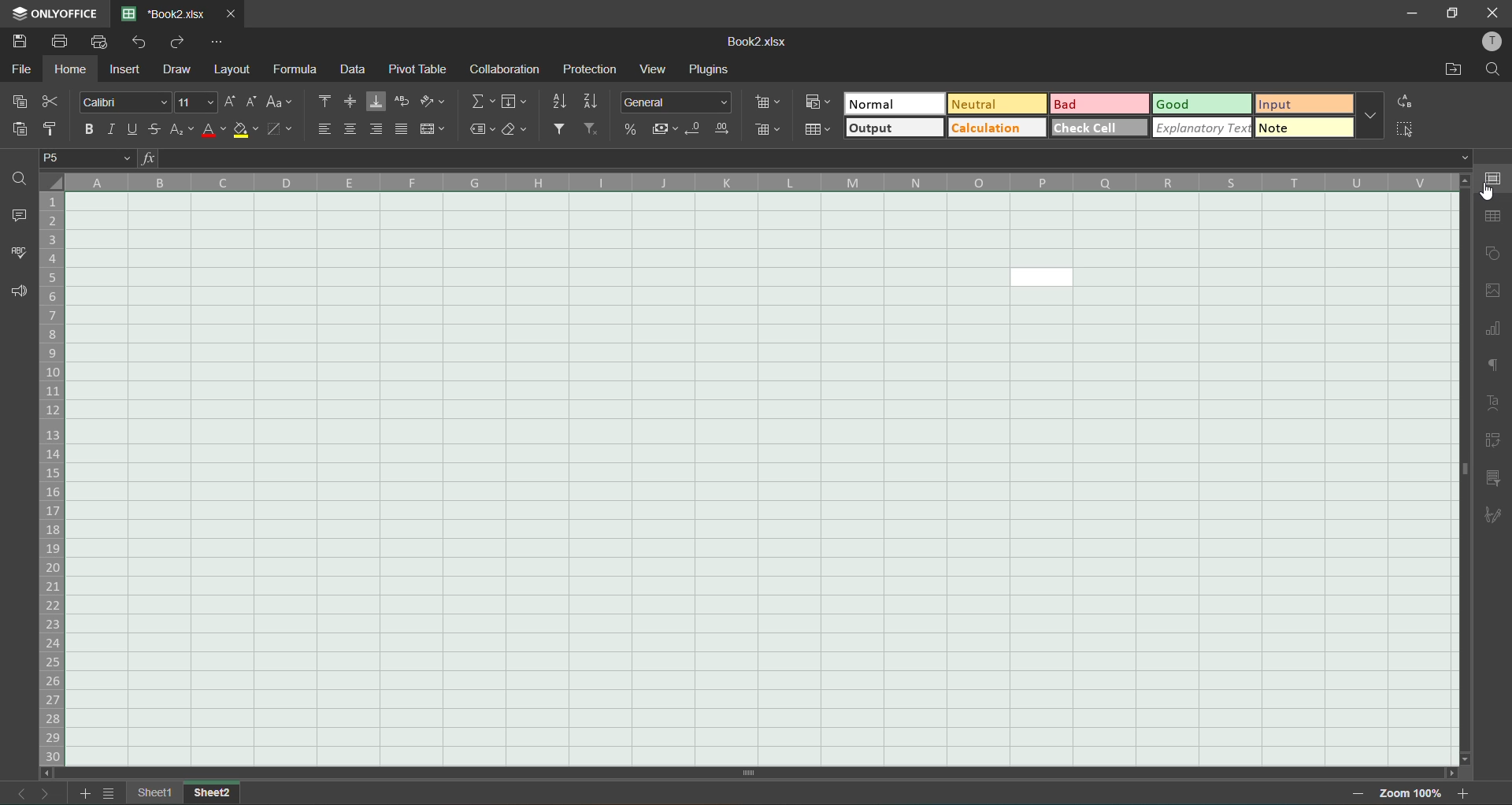  What do you see at coordinates (180, 69) in the screenshot?
I see `draw` at bounding box center [180, 69].